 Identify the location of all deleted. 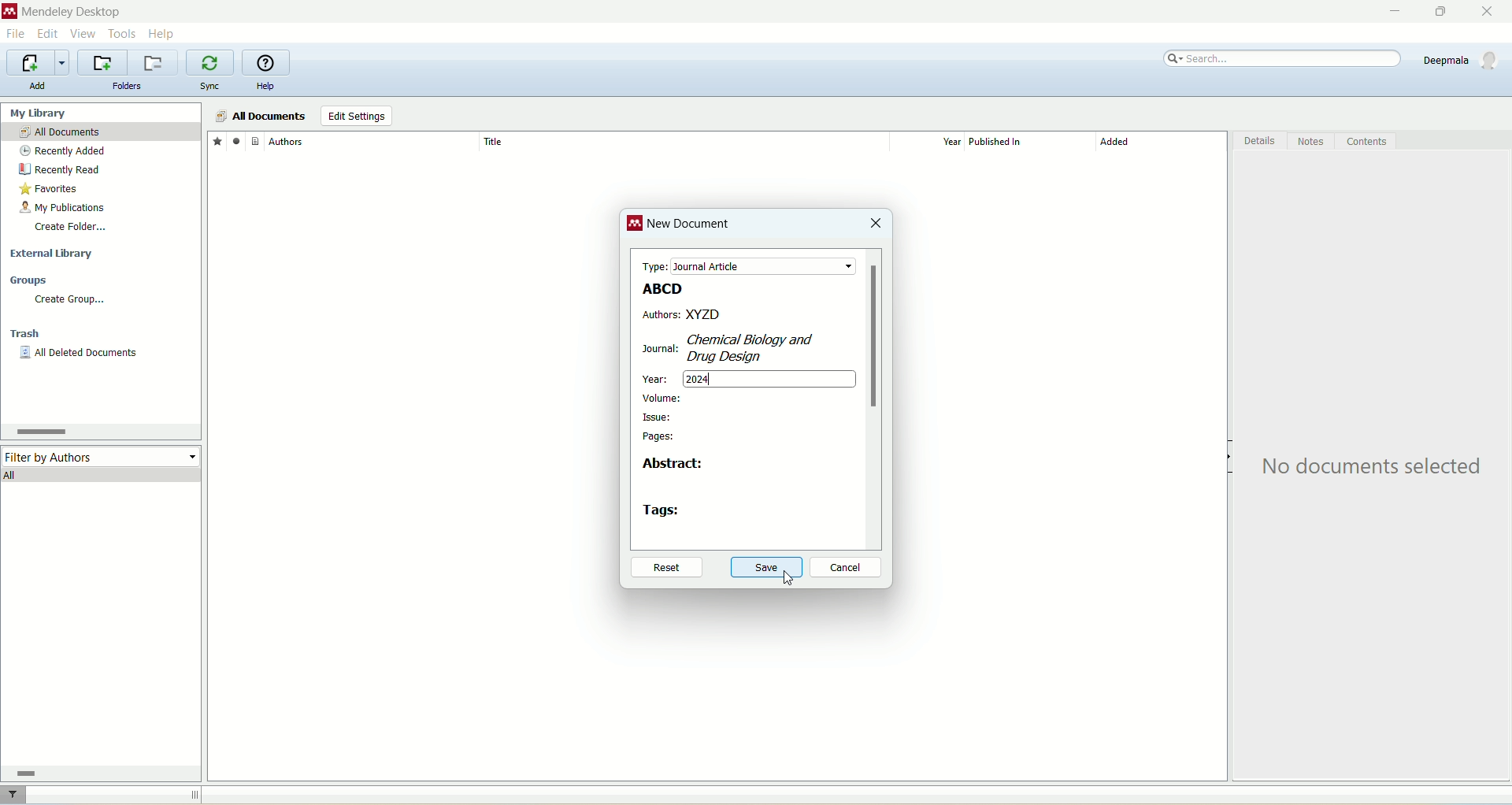
(80, 354).